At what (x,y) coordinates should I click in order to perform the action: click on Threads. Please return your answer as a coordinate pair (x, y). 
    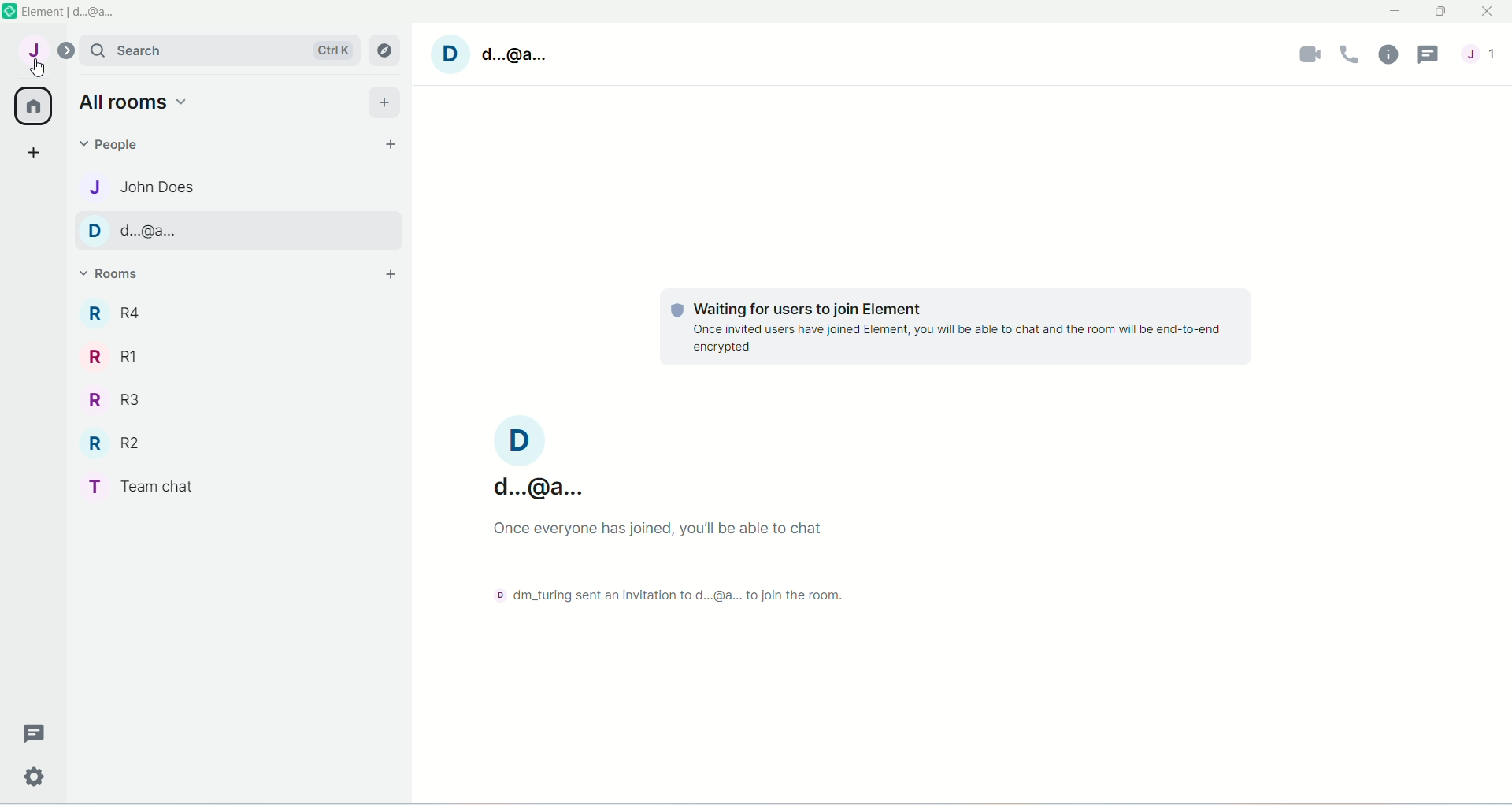
    Looking at the image, I should click on (42, 733).